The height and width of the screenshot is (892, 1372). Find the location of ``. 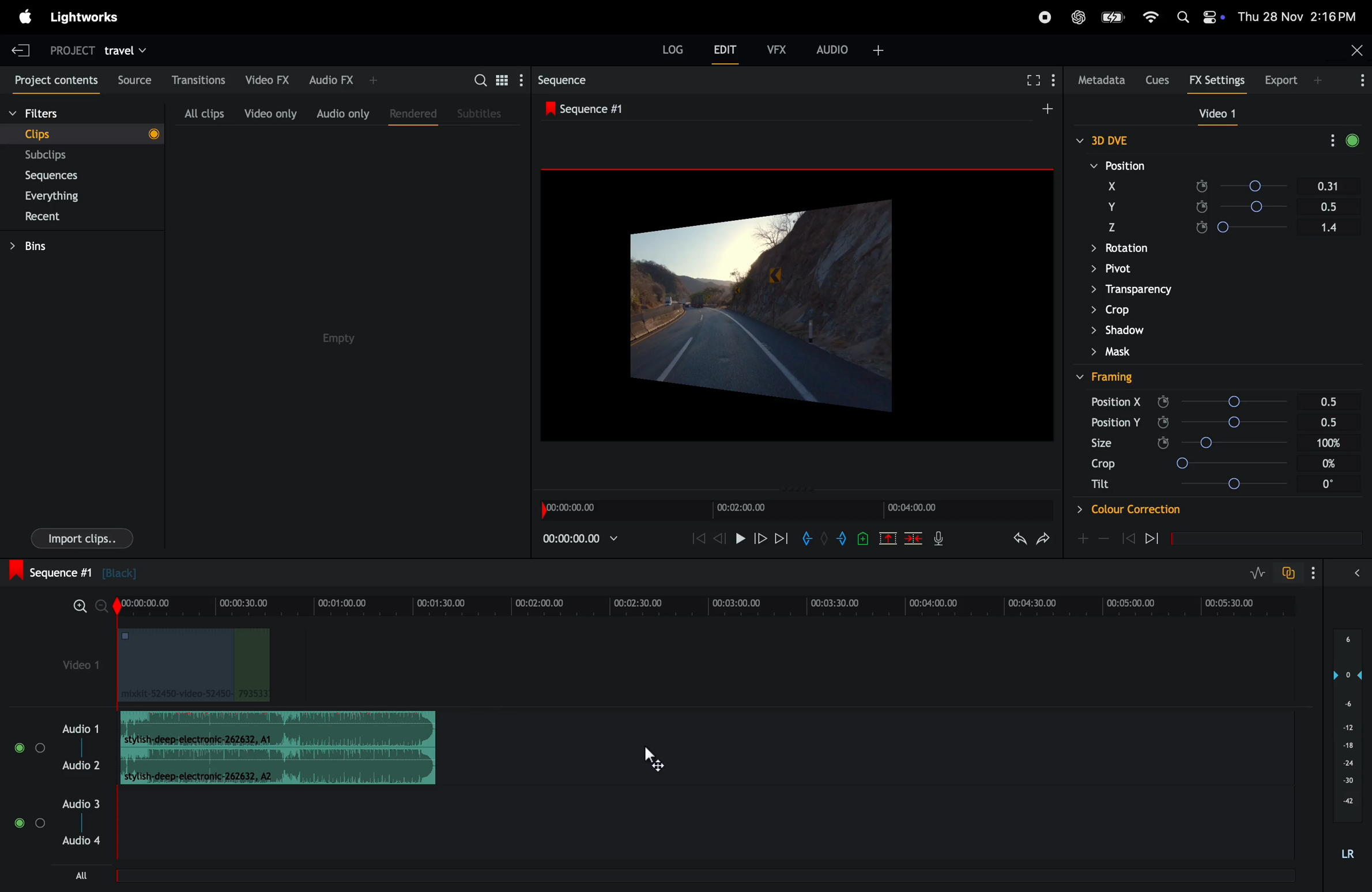

 is located at coordinates (1147, 329).